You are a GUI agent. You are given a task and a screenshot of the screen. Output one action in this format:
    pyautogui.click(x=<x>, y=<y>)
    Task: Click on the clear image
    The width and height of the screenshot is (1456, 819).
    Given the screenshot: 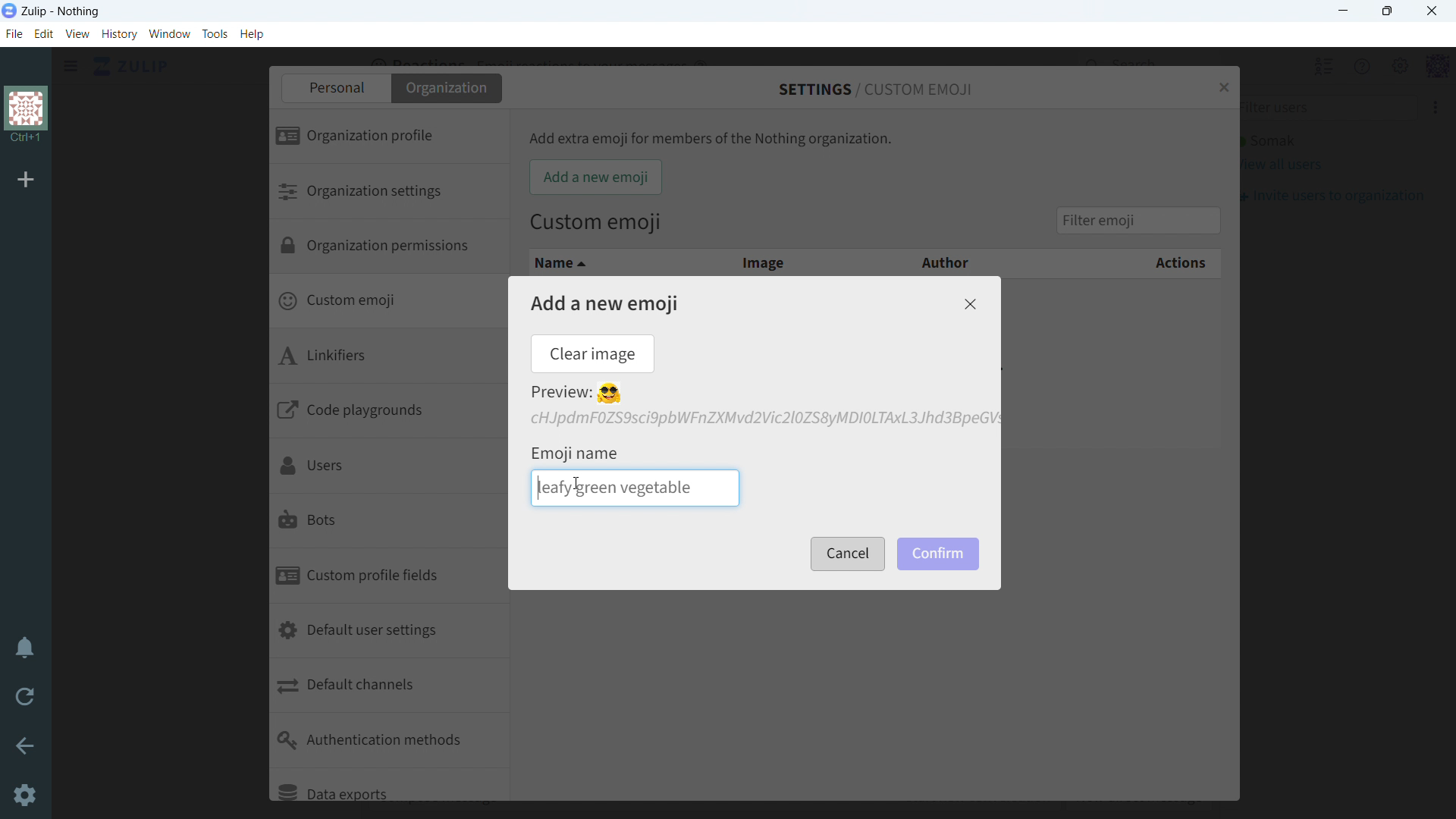 What is the action you would take?
    pyautogui.click(x=591, y=353)
    